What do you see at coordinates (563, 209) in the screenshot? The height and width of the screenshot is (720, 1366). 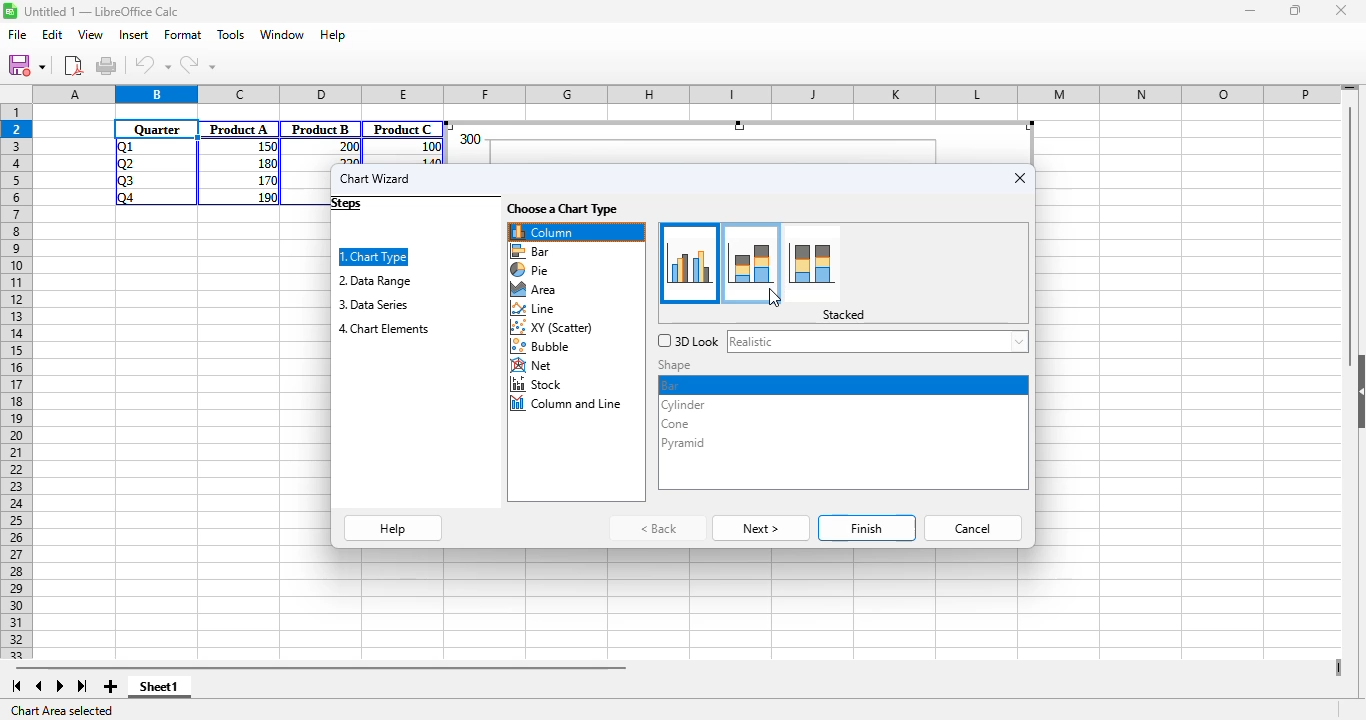 I see `choose a chart type` at bounding box center [563, 209].